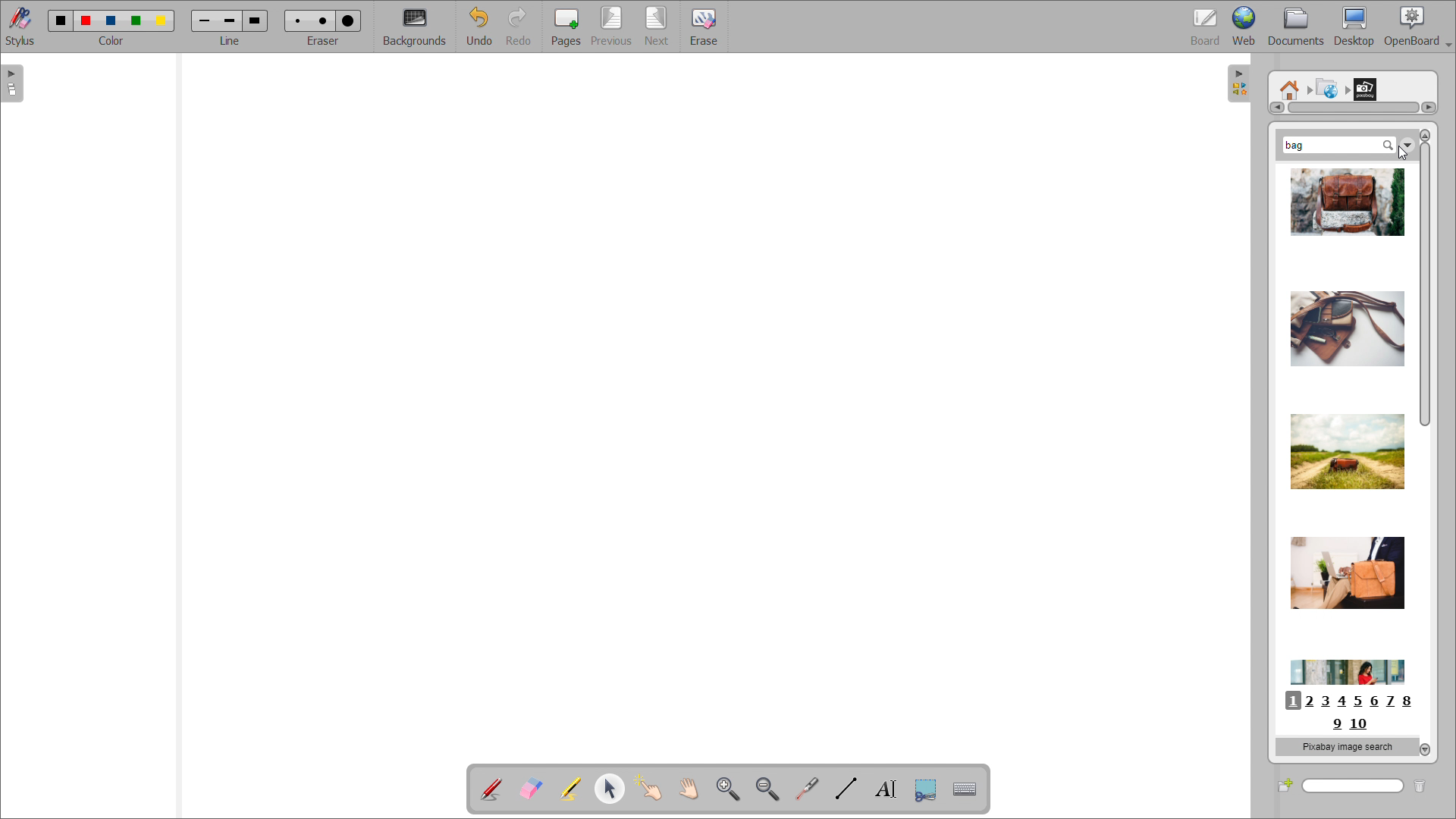  What do you see at coordinates (1335, 725) in the screenshot?
I see `9` at bounding box center [1335, 725].